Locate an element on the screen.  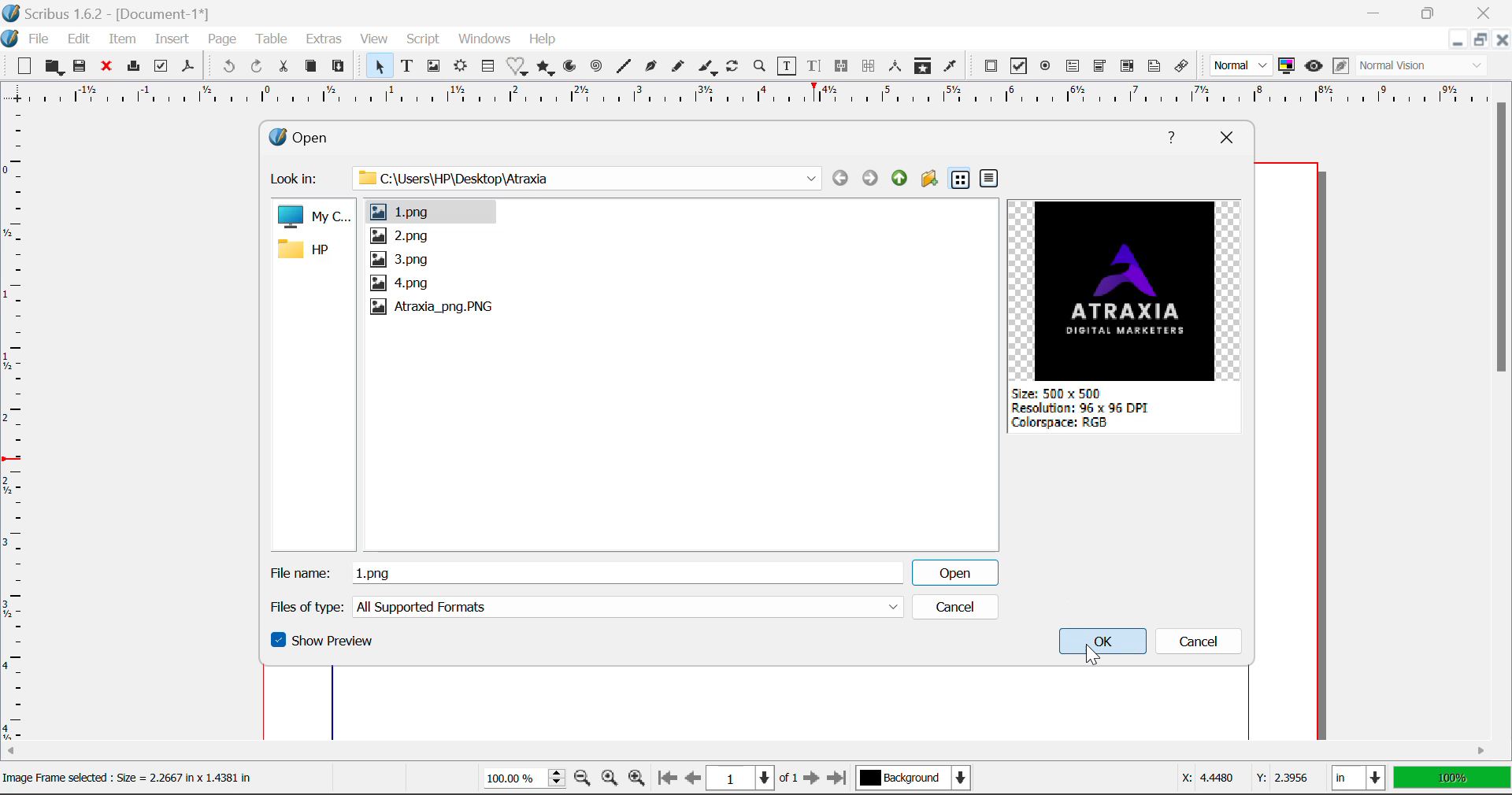
Files of type: is located at coordinates (306, 607).